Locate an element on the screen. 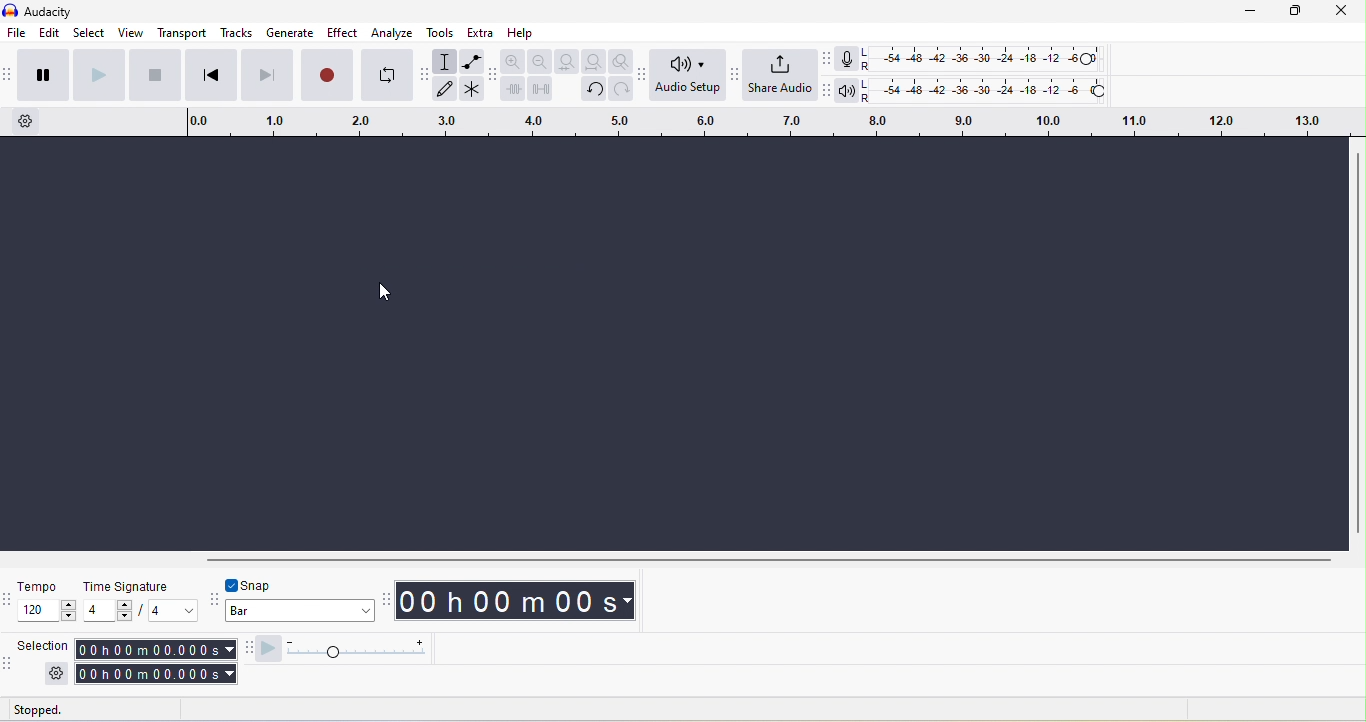 The image size is (1366, 722). analyze is located at coordinates (392, 33).